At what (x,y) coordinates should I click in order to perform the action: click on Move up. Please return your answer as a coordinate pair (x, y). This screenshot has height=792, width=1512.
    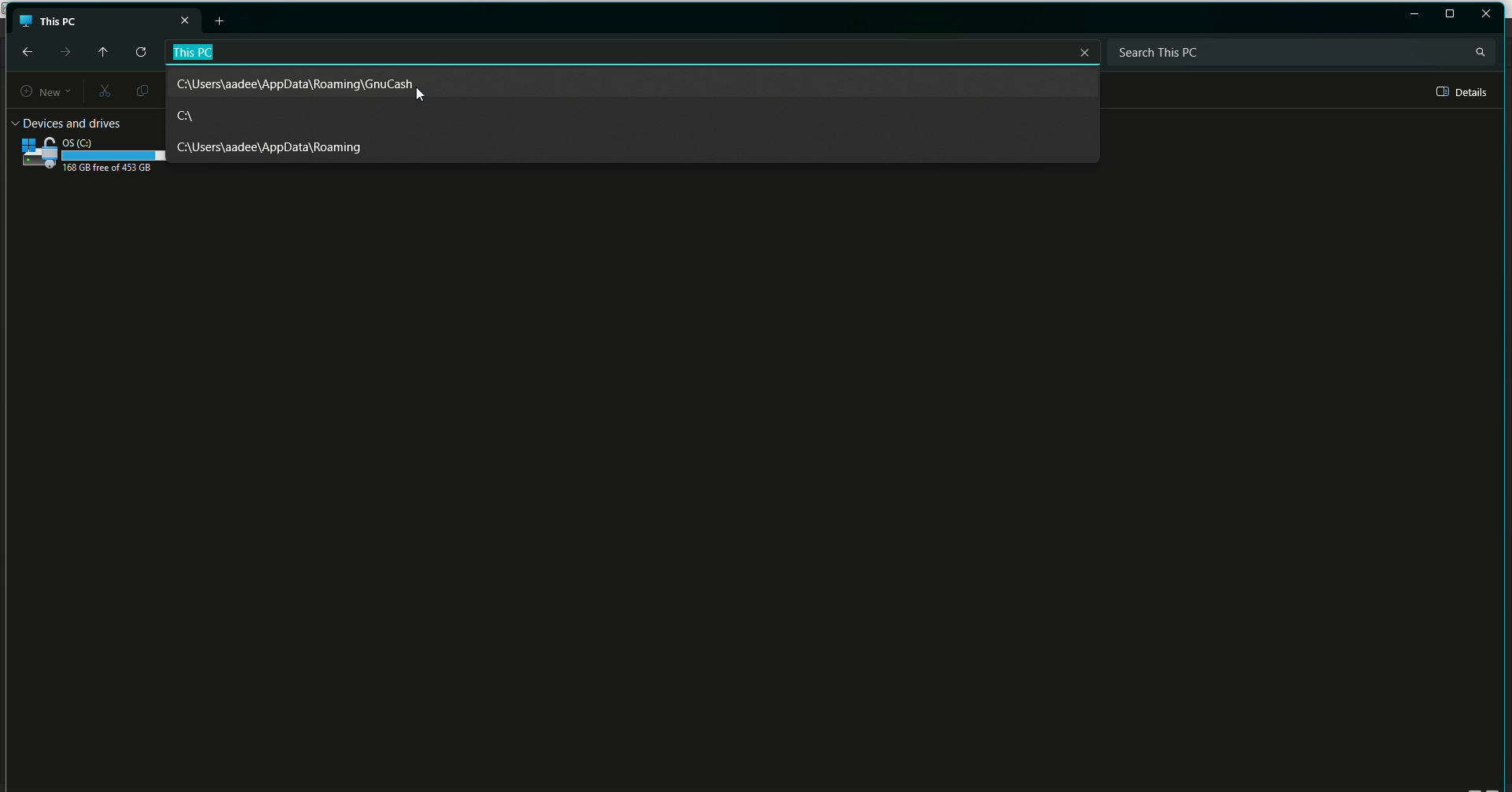
    Looking at the image, I should click on (99, 50).